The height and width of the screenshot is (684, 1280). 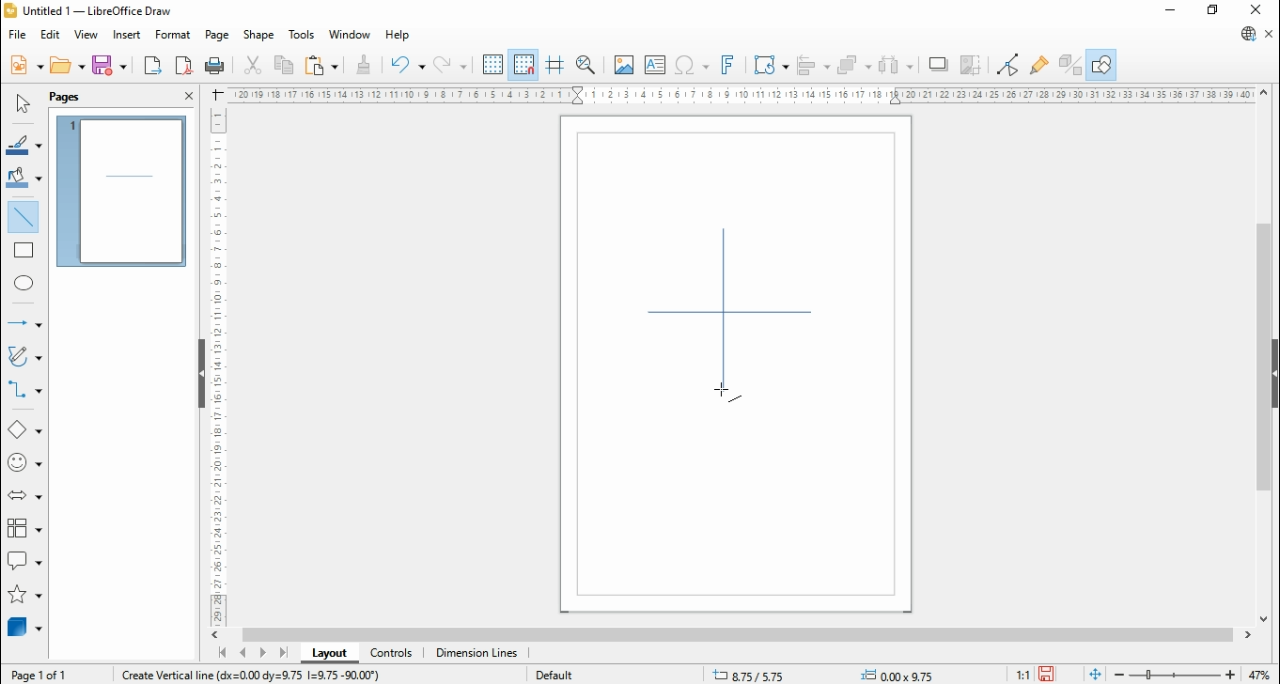 I want to click on redo, so click(x=451, y=64).